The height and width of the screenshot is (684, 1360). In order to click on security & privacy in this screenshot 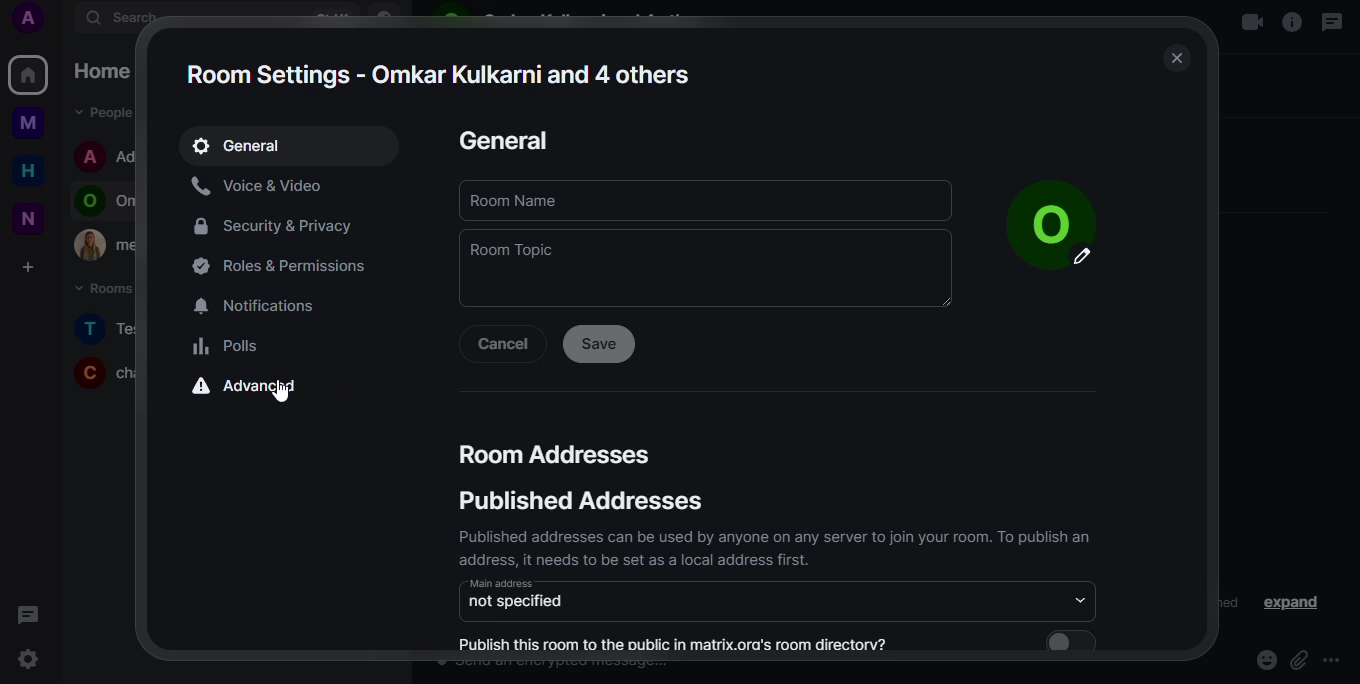, I will do `click(281, 223)`.